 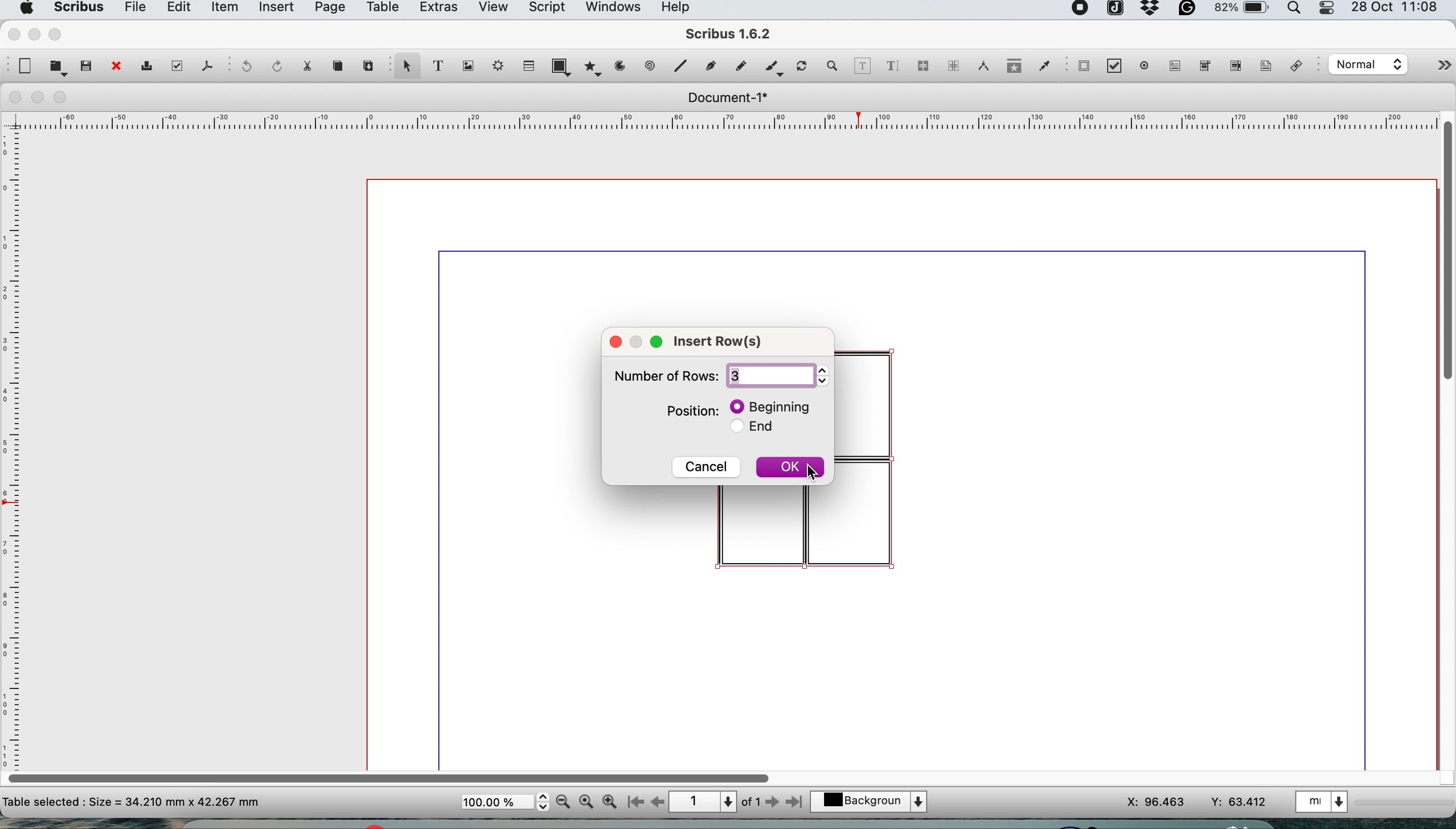 I want to click on control center, so click(x=1328, y=9).